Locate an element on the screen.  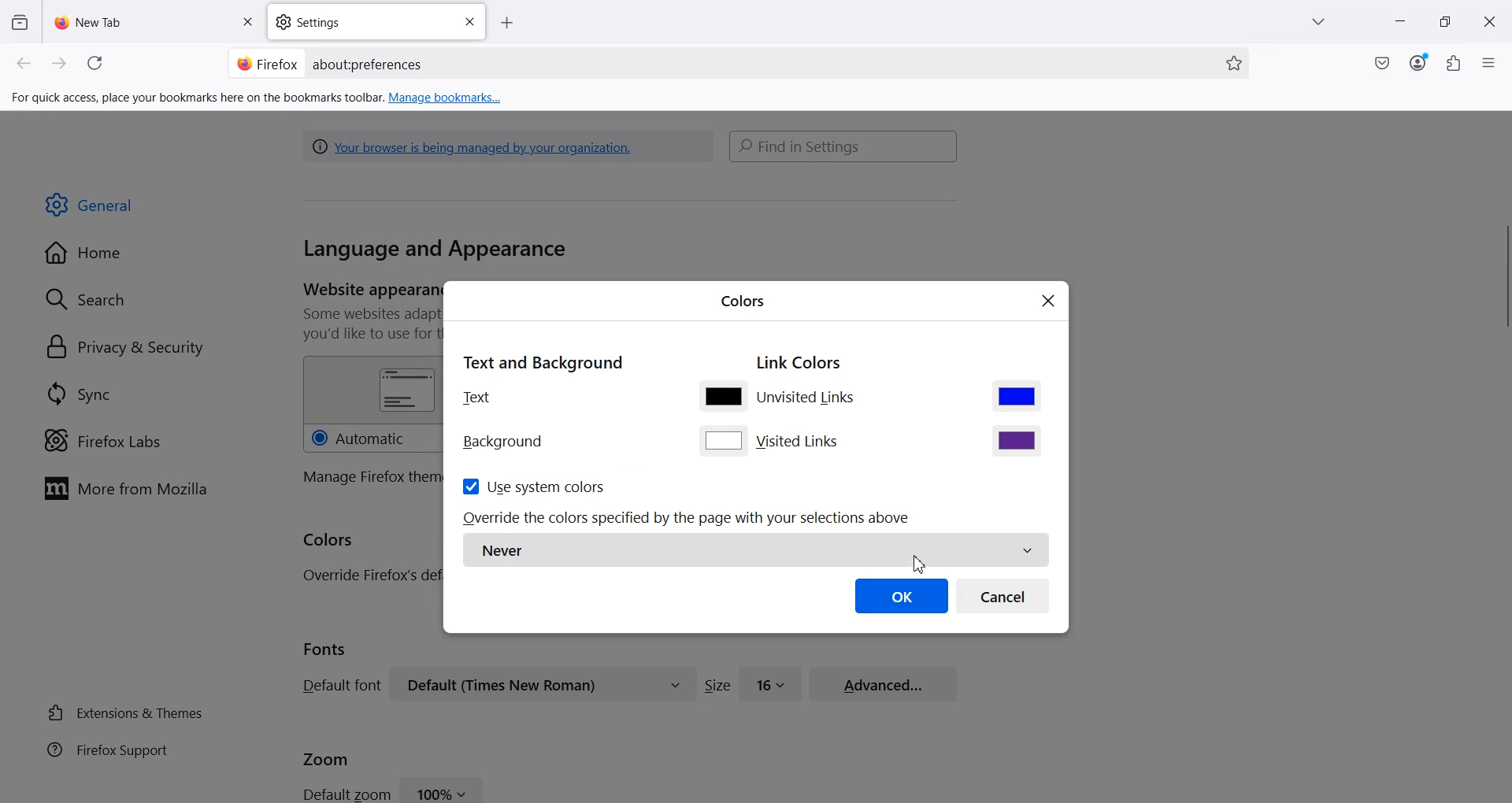
Background is located at coordinates (503, 442).